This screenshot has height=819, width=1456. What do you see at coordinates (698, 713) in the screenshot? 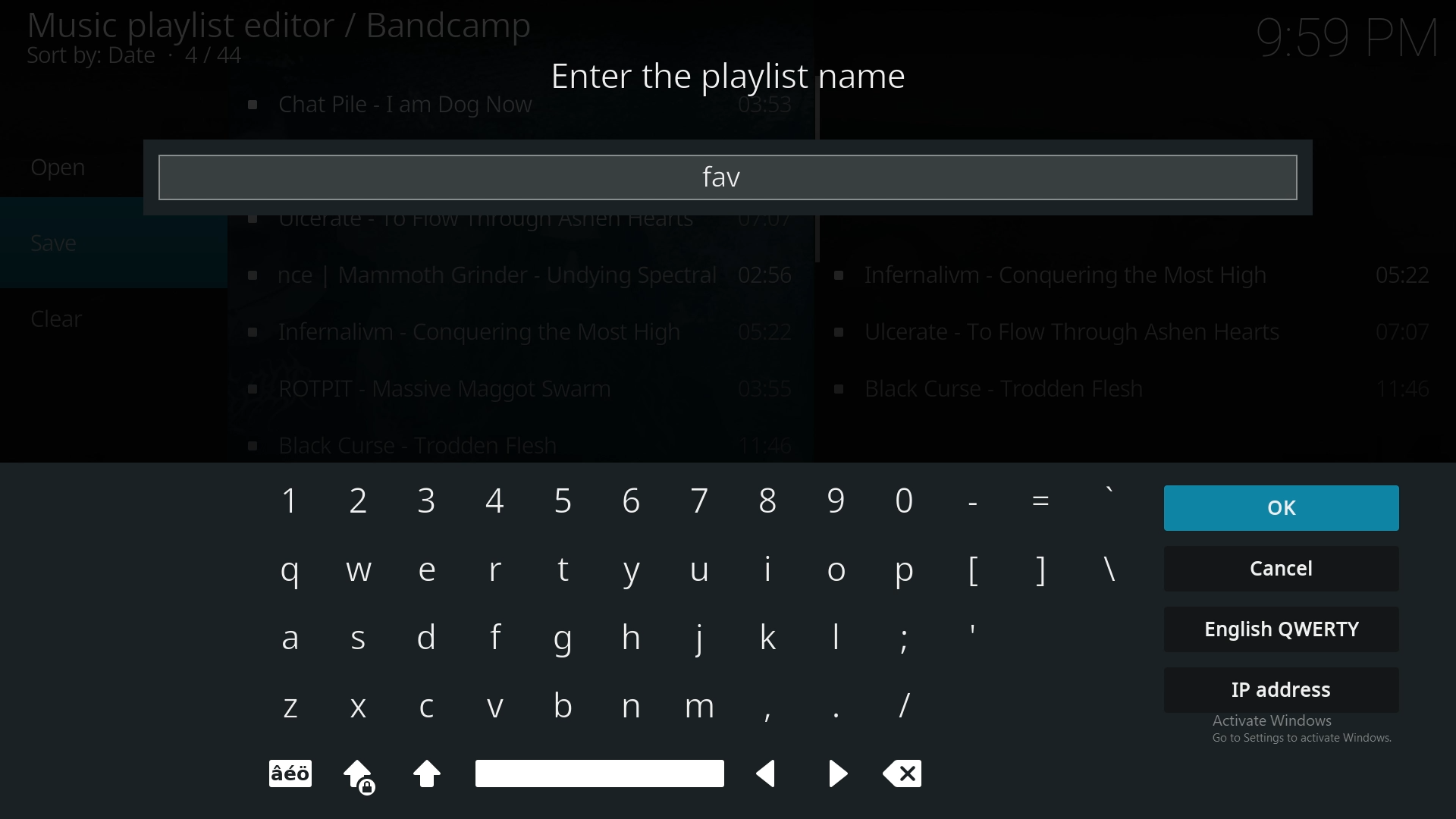
I see `keyboard input` at bounding box center [698, 713].